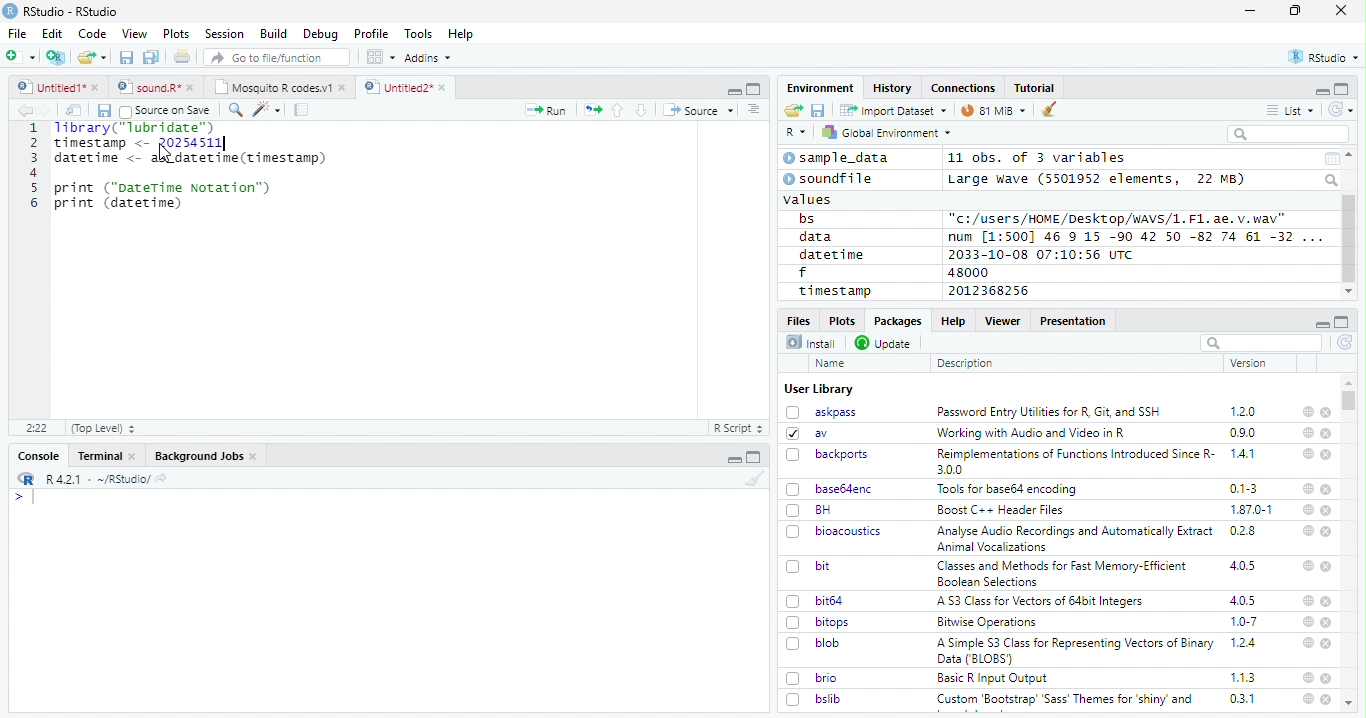 Image resolution: width=1366 pixels, height=718 pixels. What do you see at coordinates (754, 457) in the screenshot?
I see `Full screen` at bounding box center [754, 457].